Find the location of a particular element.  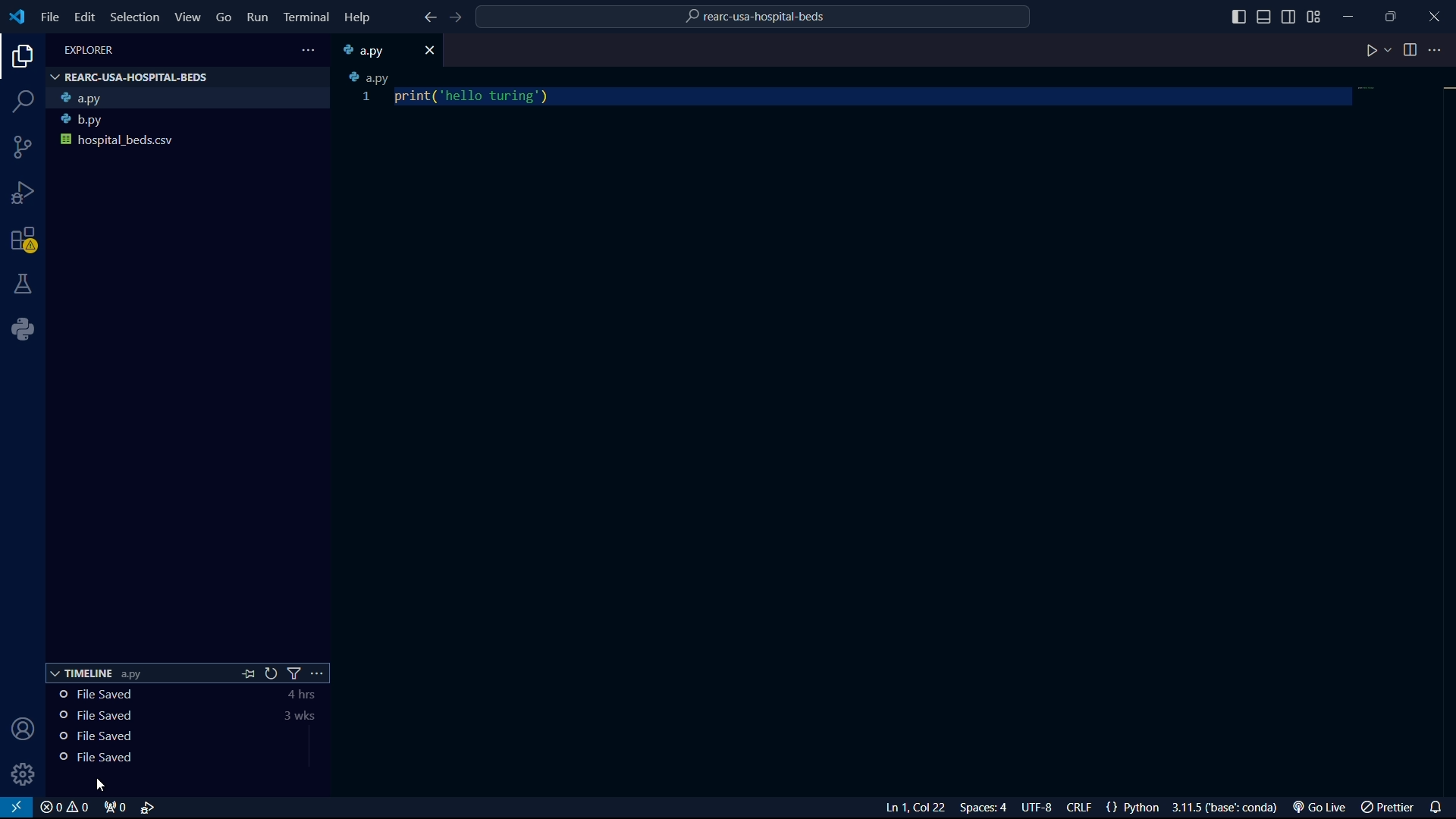

1 is located at coordinates (368, 99).